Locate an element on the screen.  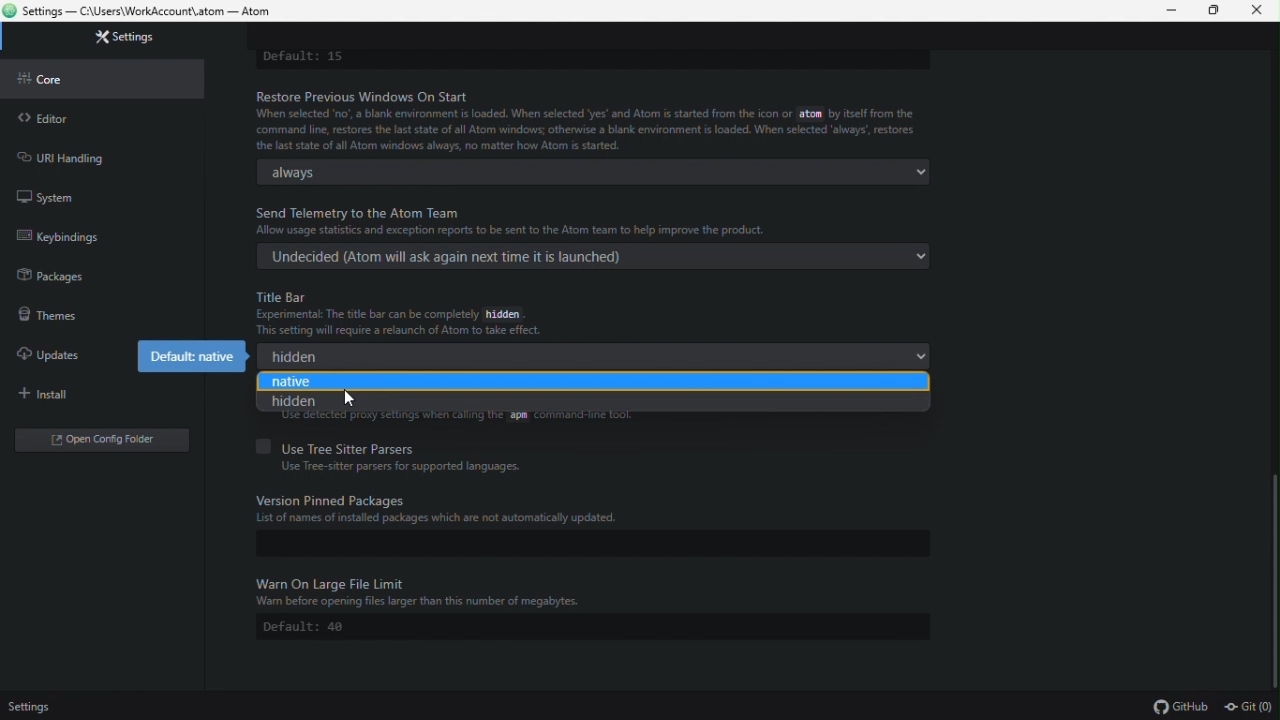
Use Tree-sitter parsers for supported languages. is located at coordinates (402, 467).